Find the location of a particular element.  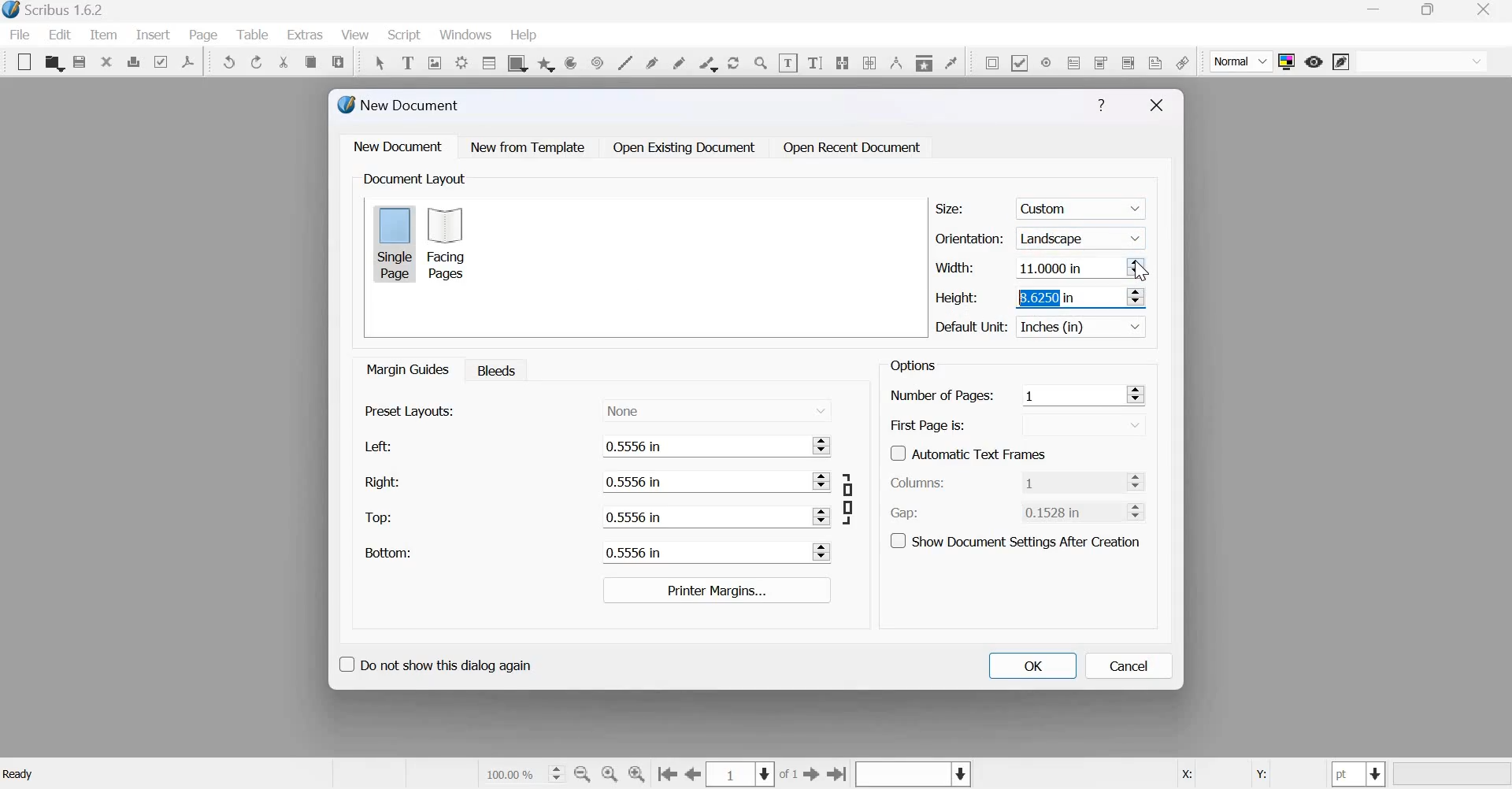

New Document is located at coordinates (400, 105).